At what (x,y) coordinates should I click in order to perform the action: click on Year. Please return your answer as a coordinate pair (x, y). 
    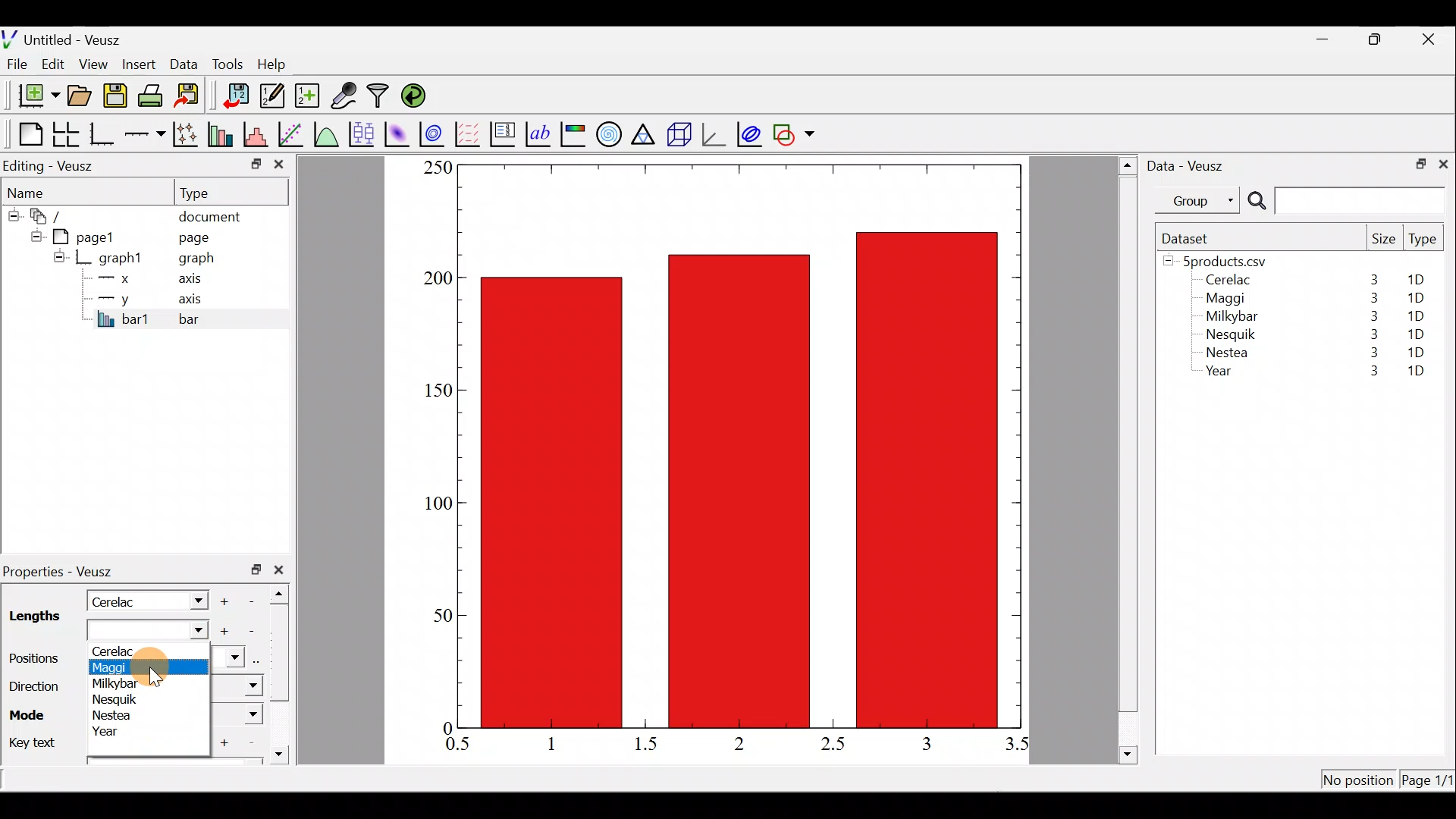
    Looking at the image, I should click on (119, 733).